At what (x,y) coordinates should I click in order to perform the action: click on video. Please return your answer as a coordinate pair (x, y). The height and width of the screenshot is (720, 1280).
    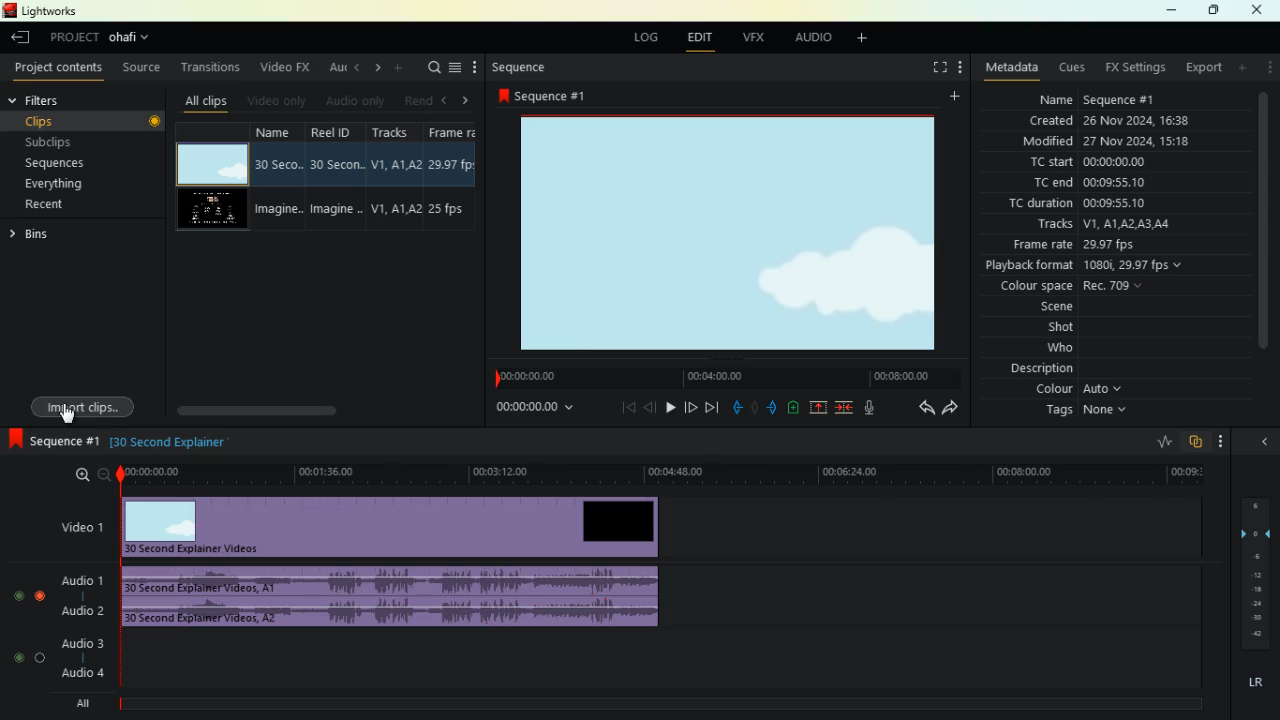
    Looking at the image, I should click on (398, 527).